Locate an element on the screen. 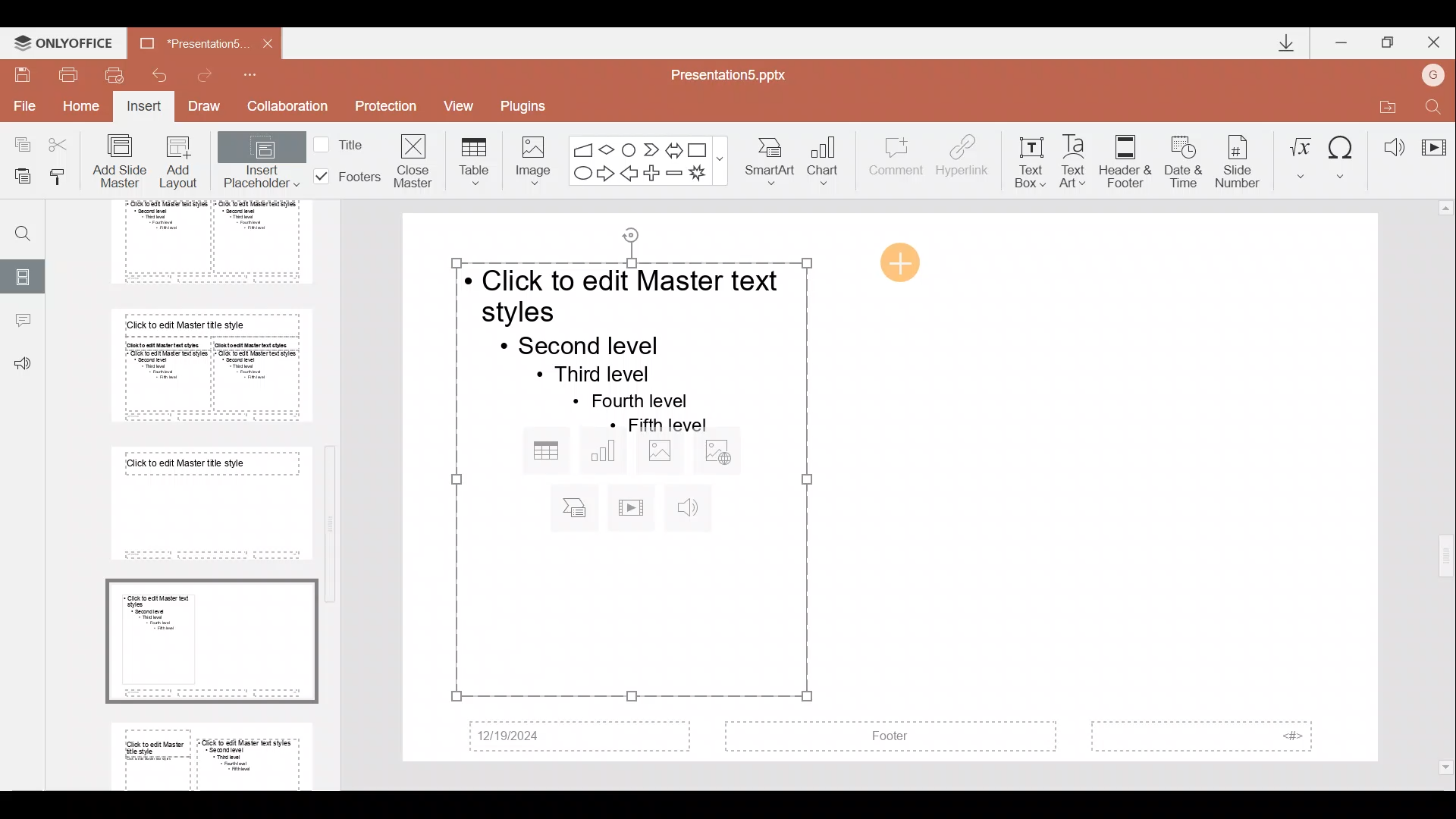 The width and height of the screenshot is (1456, 819). Downloads is located at coordinates (1280, 42).